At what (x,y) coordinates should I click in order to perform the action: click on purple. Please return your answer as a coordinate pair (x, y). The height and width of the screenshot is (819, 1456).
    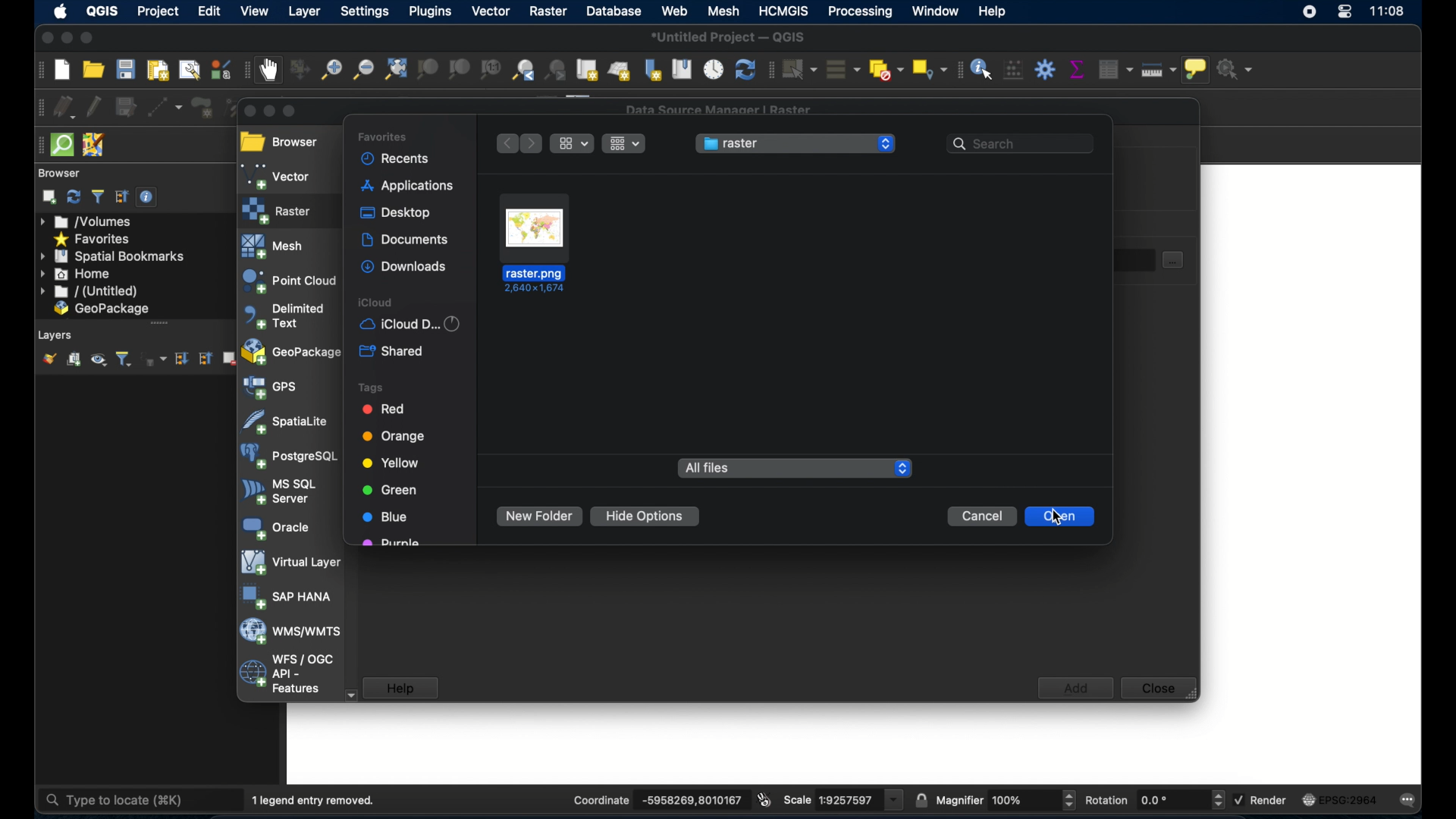
    Looking at the image, I should click on (394, 543).